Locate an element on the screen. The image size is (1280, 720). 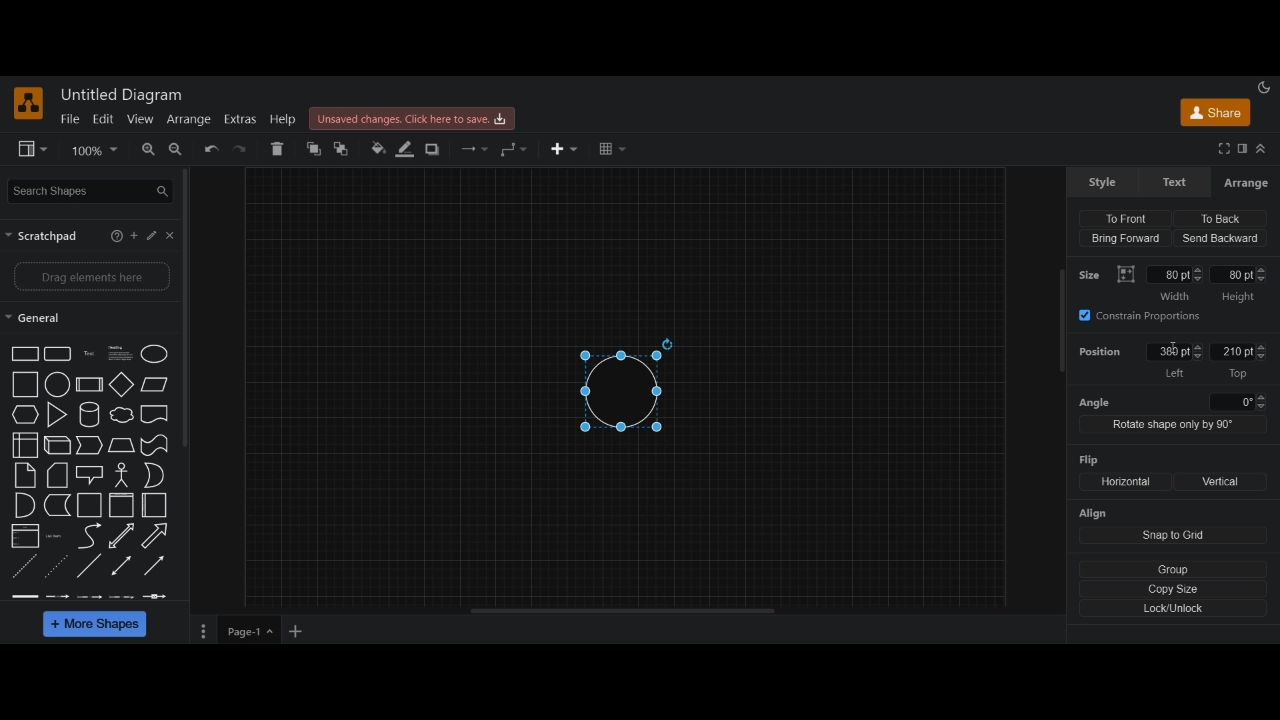
angle is located at coordinates (1173, 401).